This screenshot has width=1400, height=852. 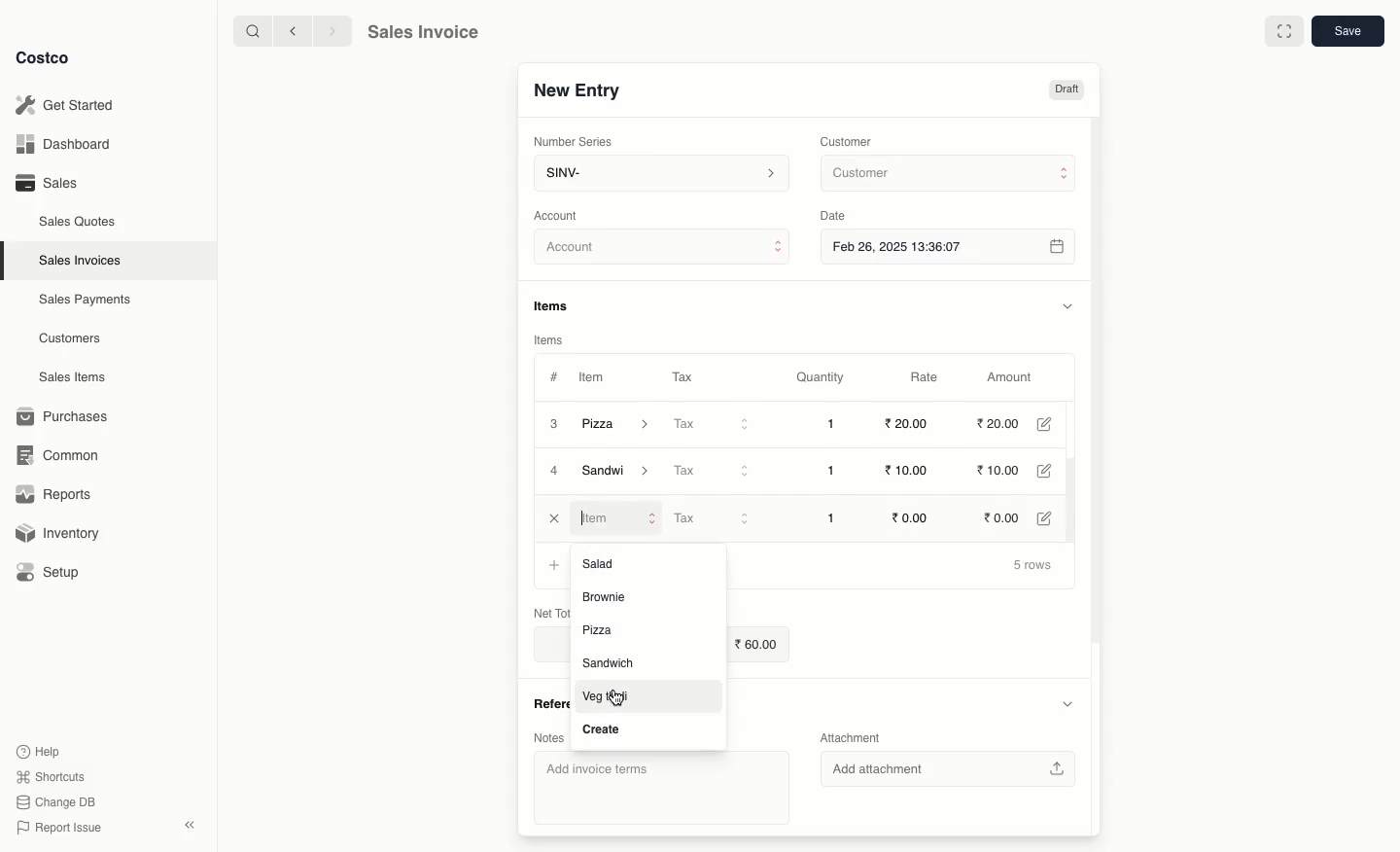 What do you see at coordinates (1350, 33) in the screenshot?
I see `Save` at bounding box center [1350, 33].